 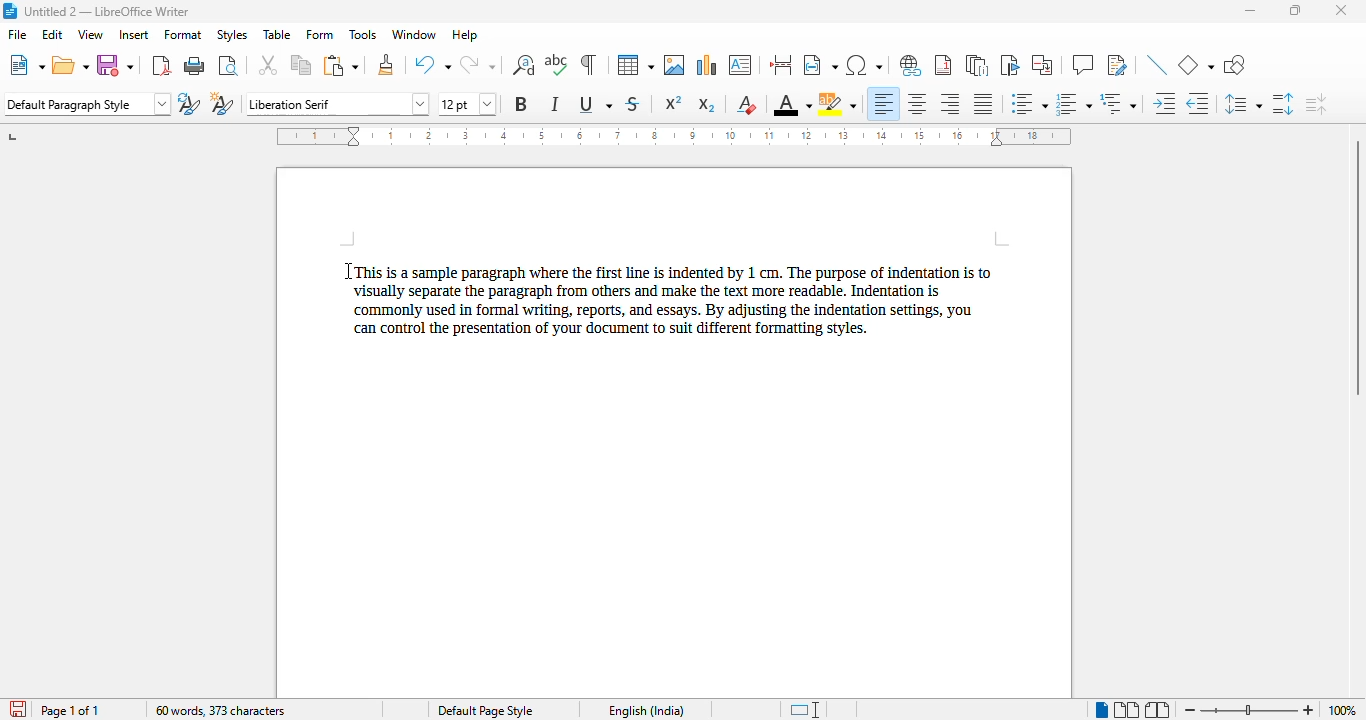 What do you see at coordinates (277, 34) in the screenshot?
I see `table` at bounding box center [277, 34].